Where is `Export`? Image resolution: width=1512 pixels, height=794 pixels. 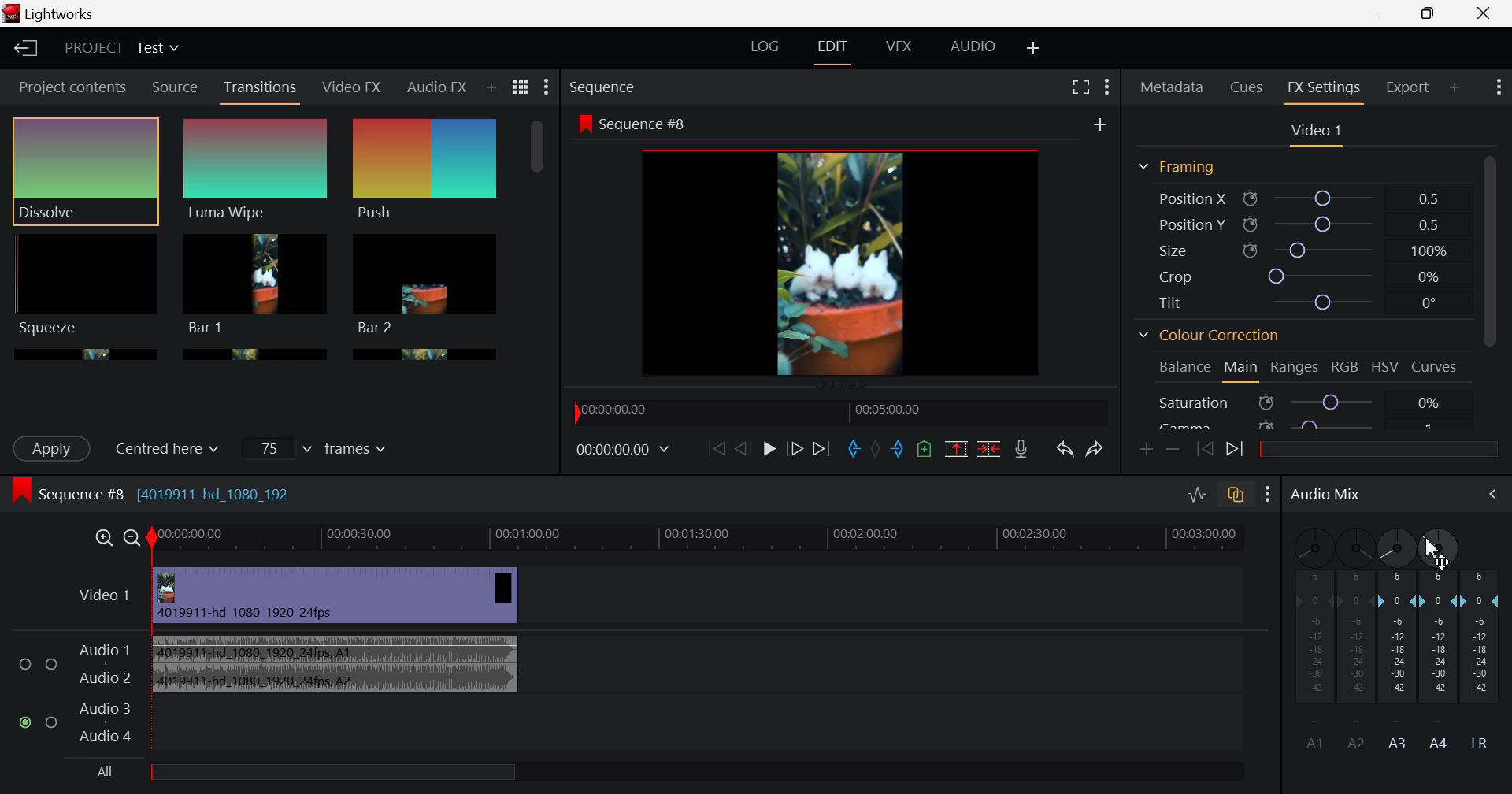 Export is located at coordinates (1408, 87).